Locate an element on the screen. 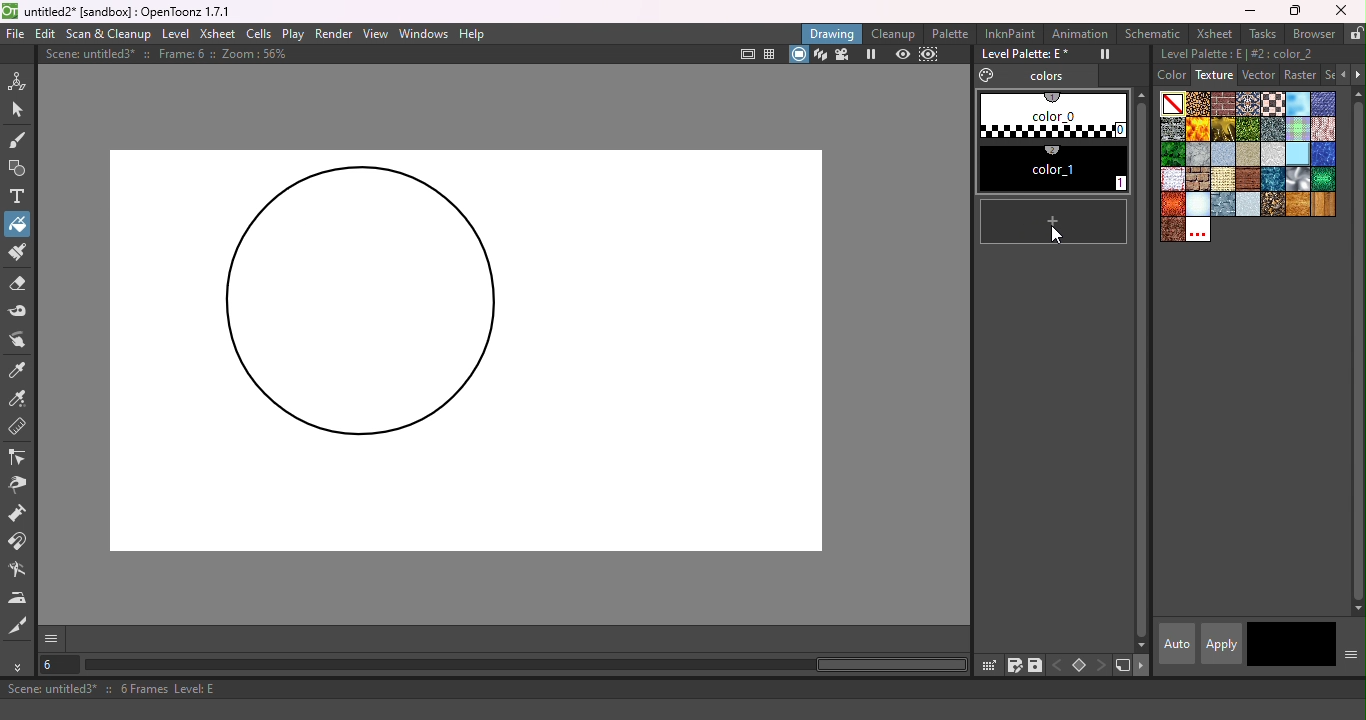 The width and height of the screenshot is (1366, 720). Chessboard.bmp is located at coordinates (1273, 104).